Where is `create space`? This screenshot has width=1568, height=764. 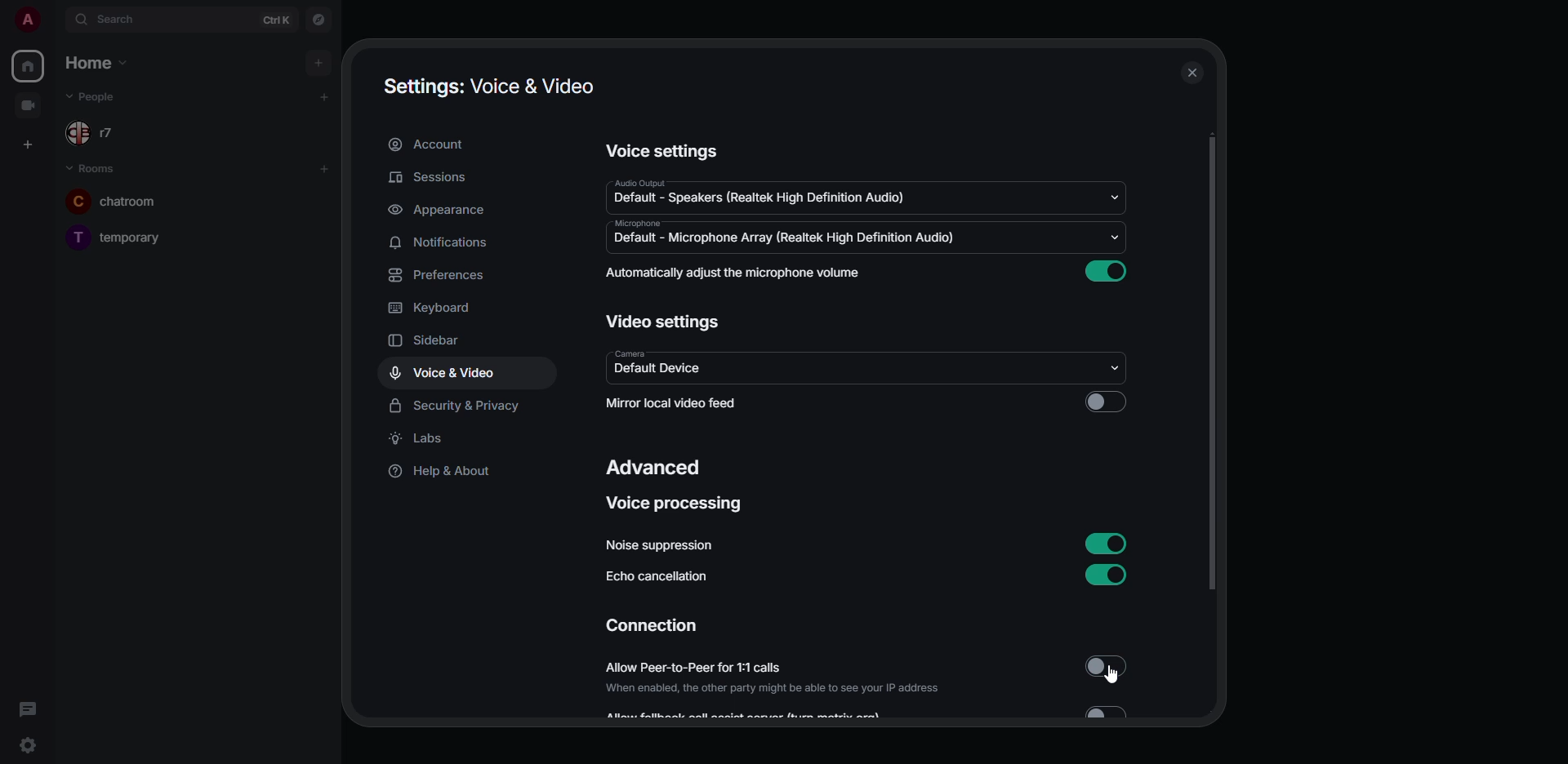 create space is located at coordinates (30, 142).